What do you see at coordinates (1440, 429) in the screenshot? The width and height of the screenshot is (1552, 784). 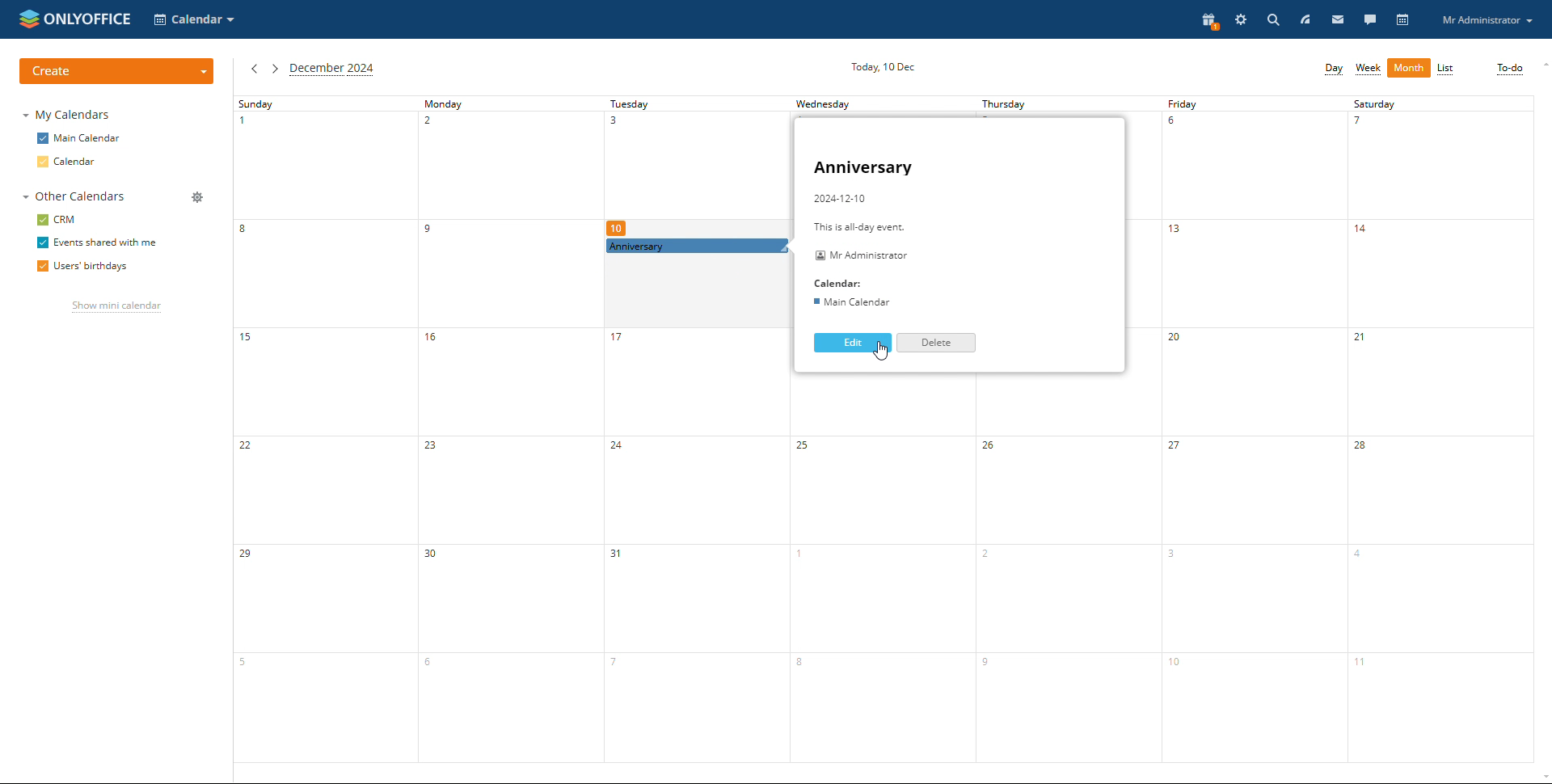 I see `saturday` at bounding box center [1440, 429].